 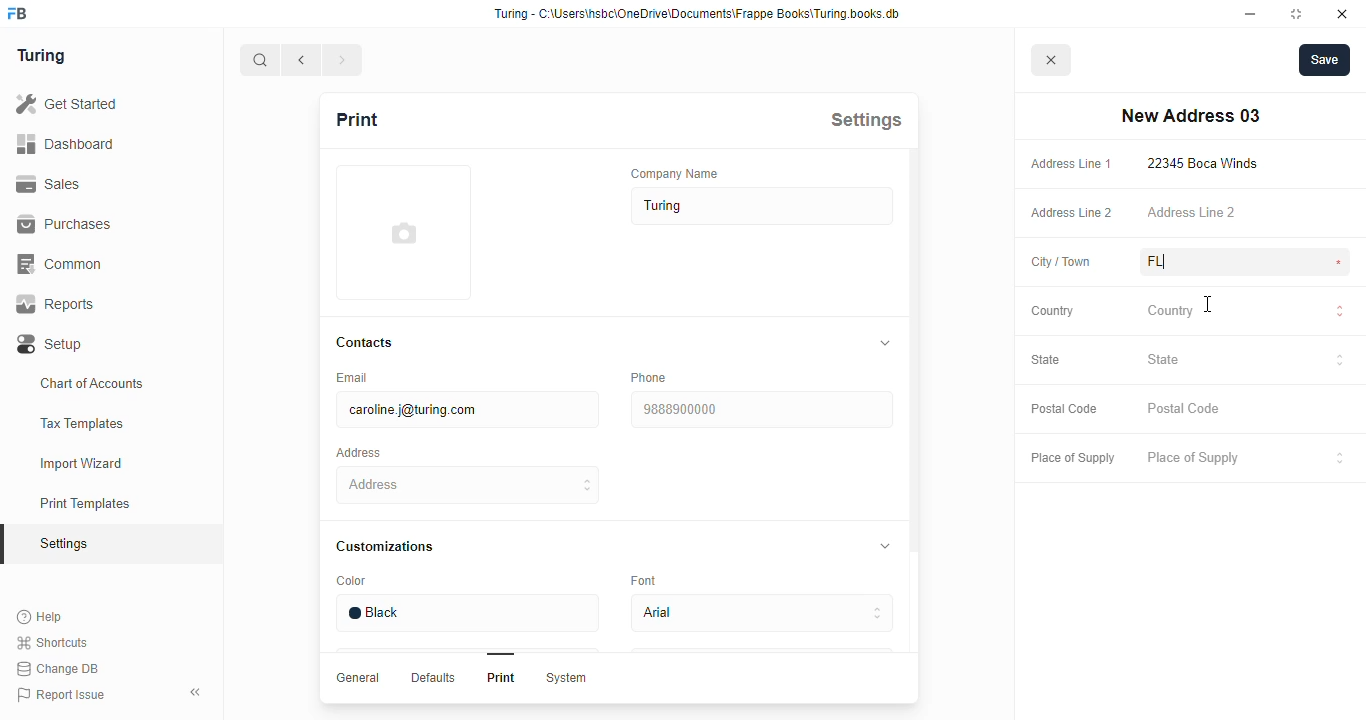 What do you see at coordinates (1251, 14) in the screenshot?
I see `minimize` at bounding box center [1251, 14].